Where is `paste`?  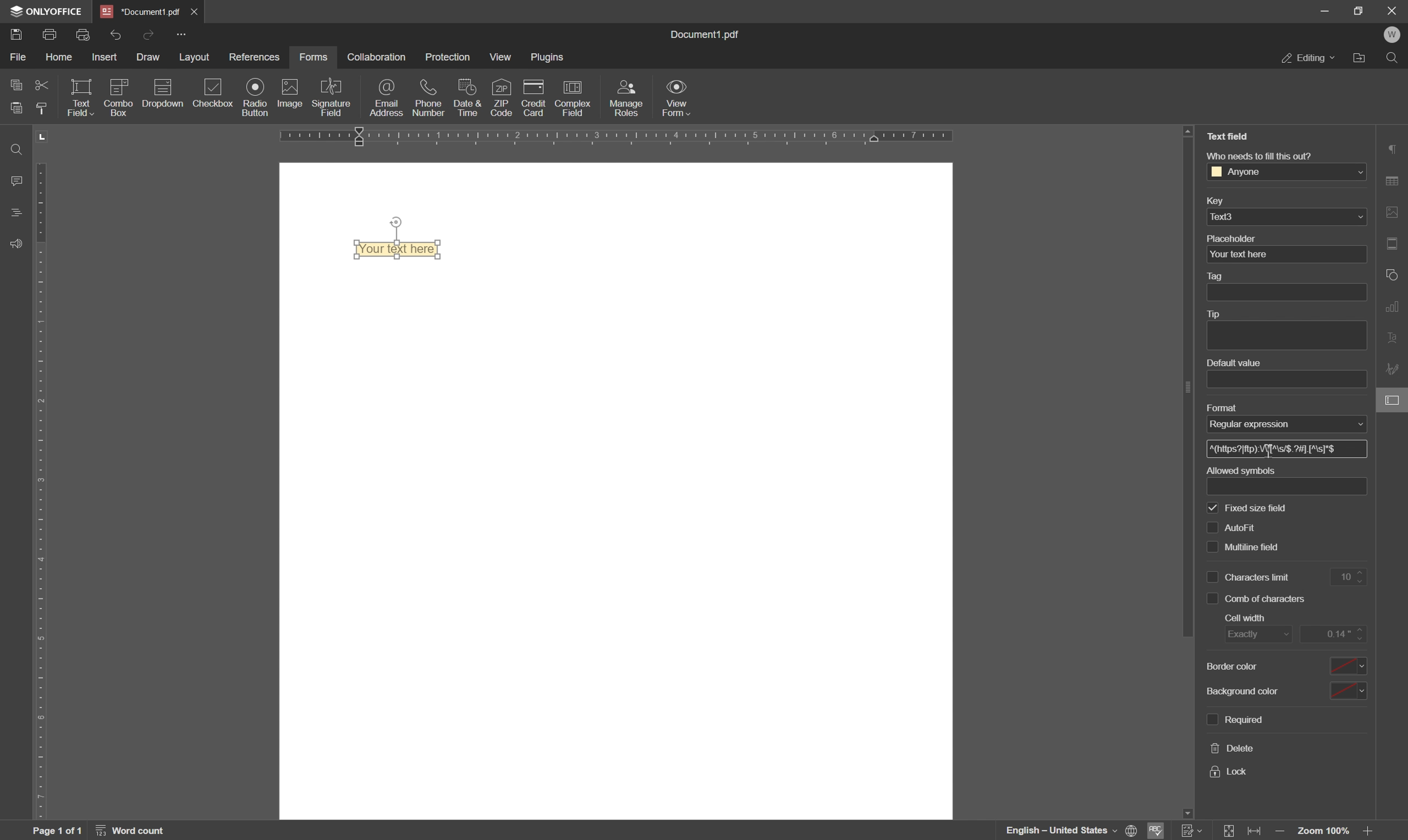 paste is located at coordinates (17, 107).